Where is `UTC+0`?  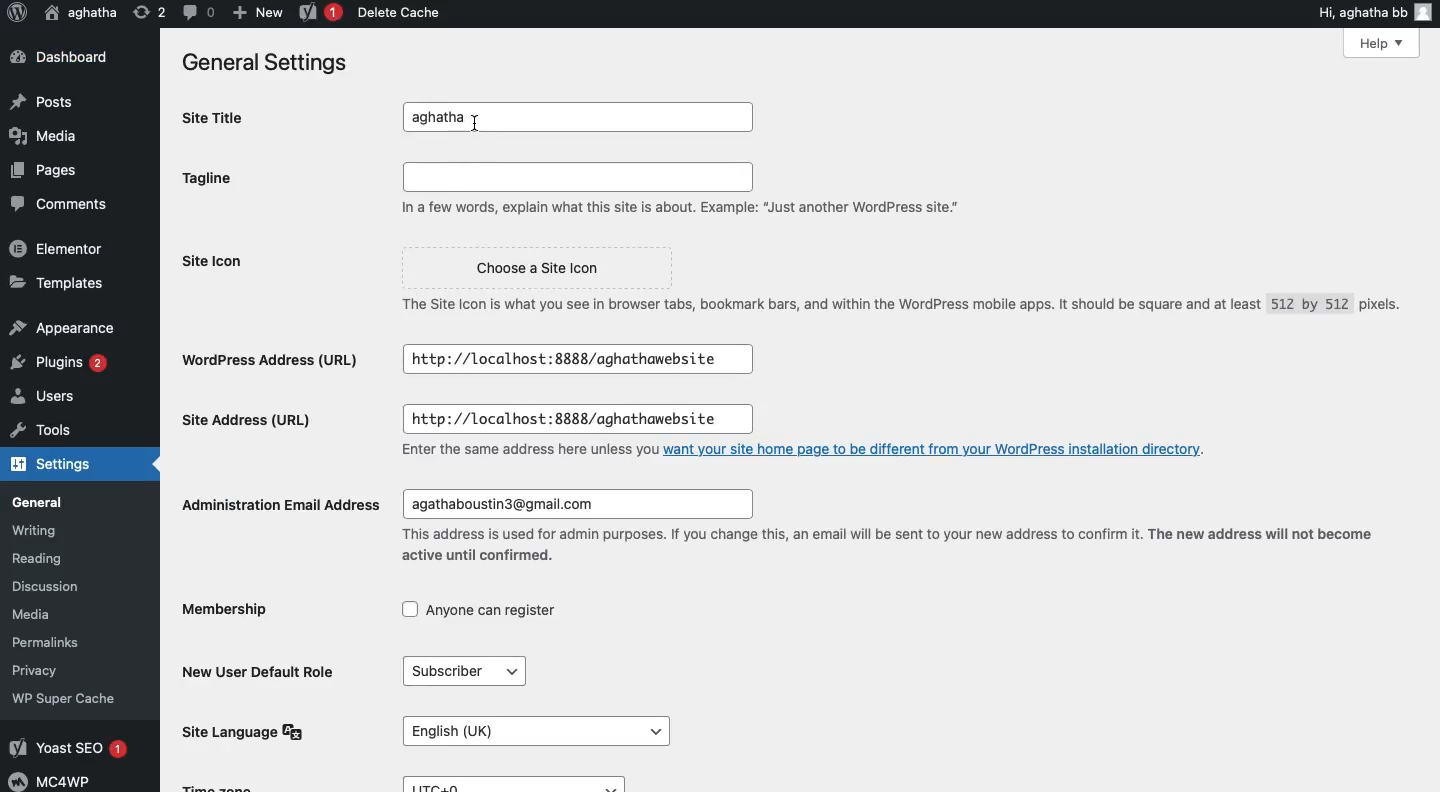
UTC+0 is located at coordinates (520, 783).